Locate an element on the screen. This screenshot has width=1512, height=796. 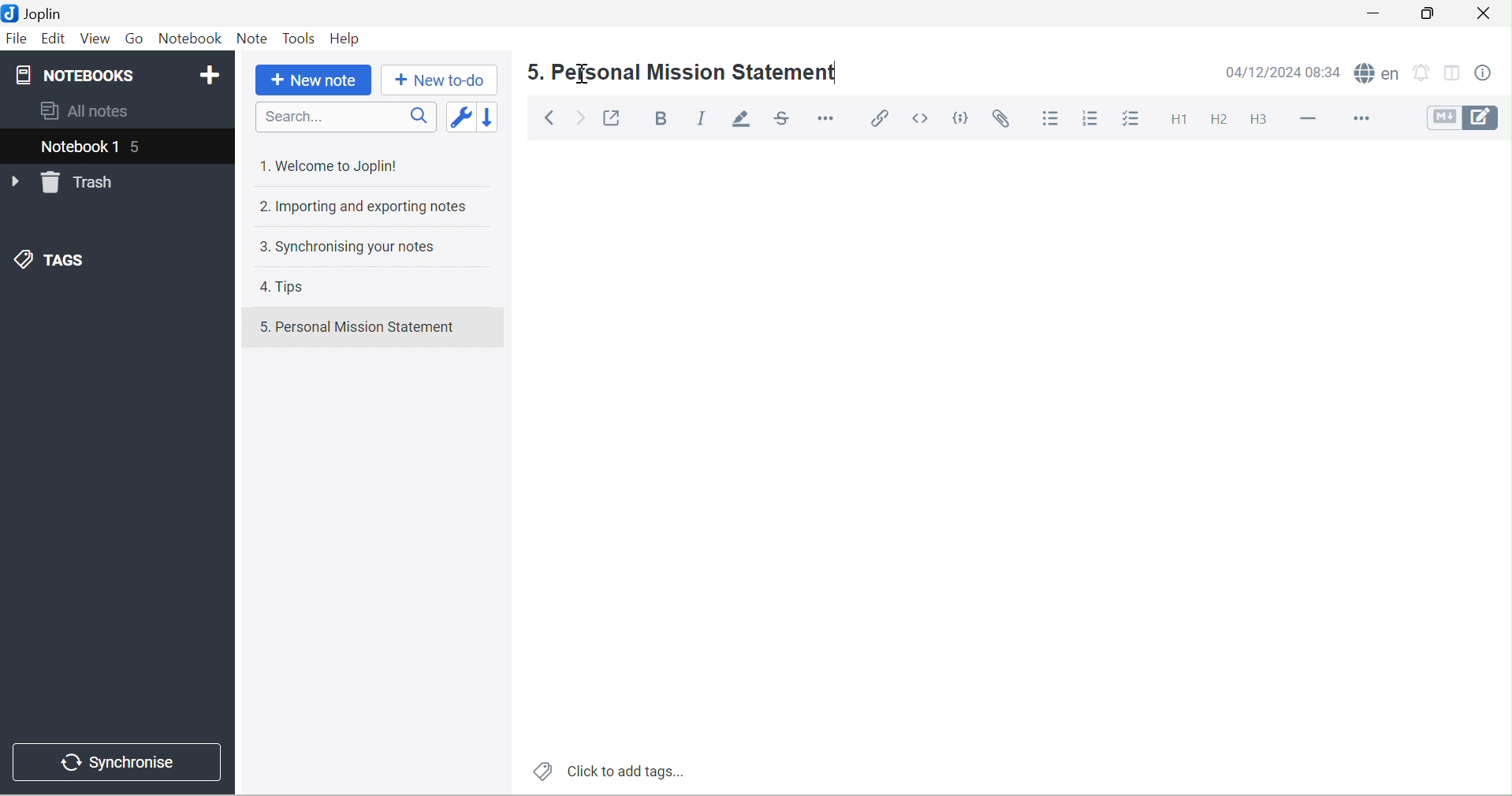
Horizontal is located at coordinates (826, 117).